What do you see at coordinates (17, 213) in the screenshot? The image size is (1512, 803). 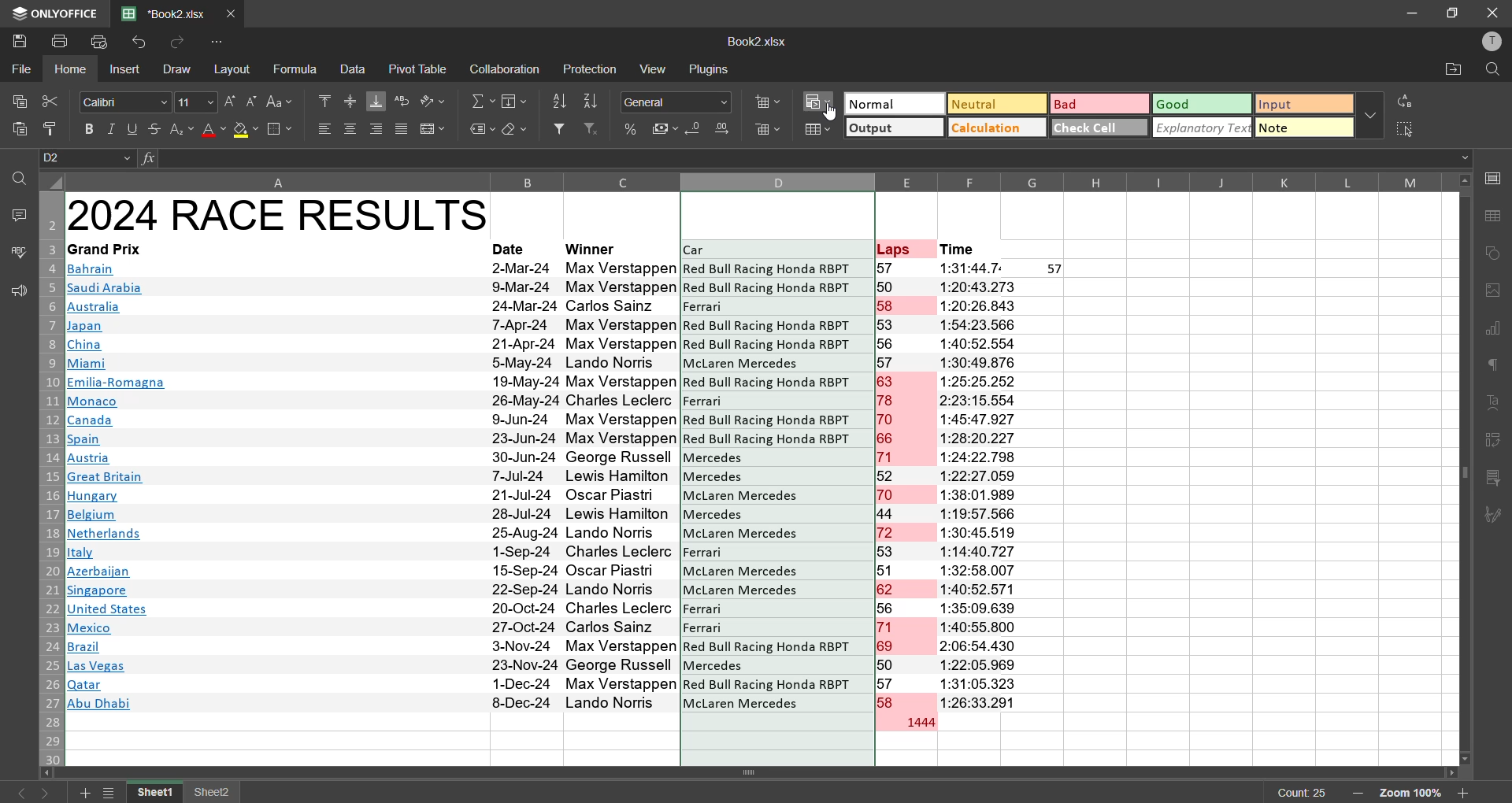 I see `comments` at bounding box center [17, 213].